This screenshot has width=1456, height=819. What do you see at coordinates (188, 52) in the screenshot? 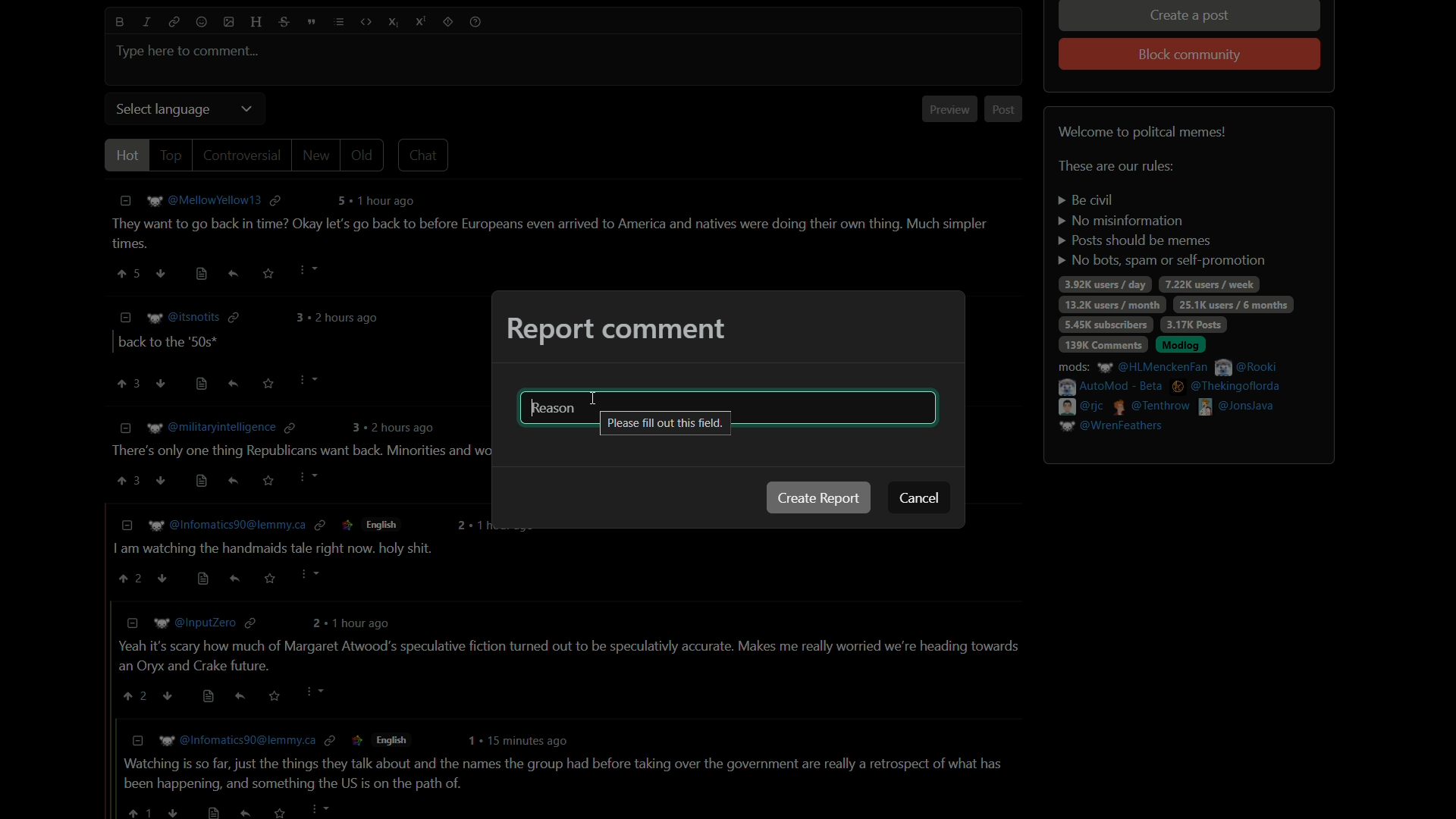
I see `type here to comment` at bounding box center [188, 52].